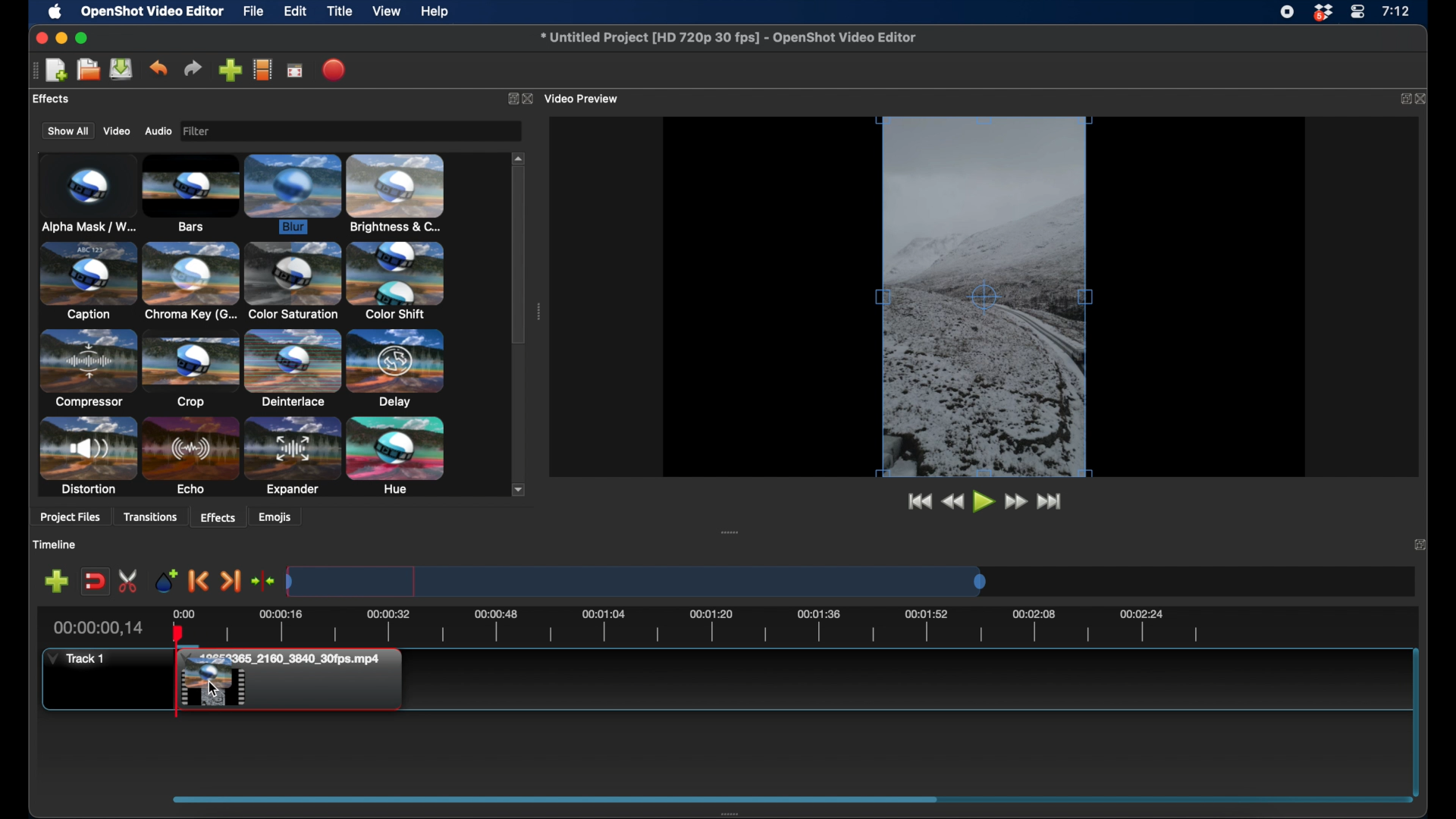 This screenshot has width=1456, height=819. I want to click on rewind, so click(954, 503).